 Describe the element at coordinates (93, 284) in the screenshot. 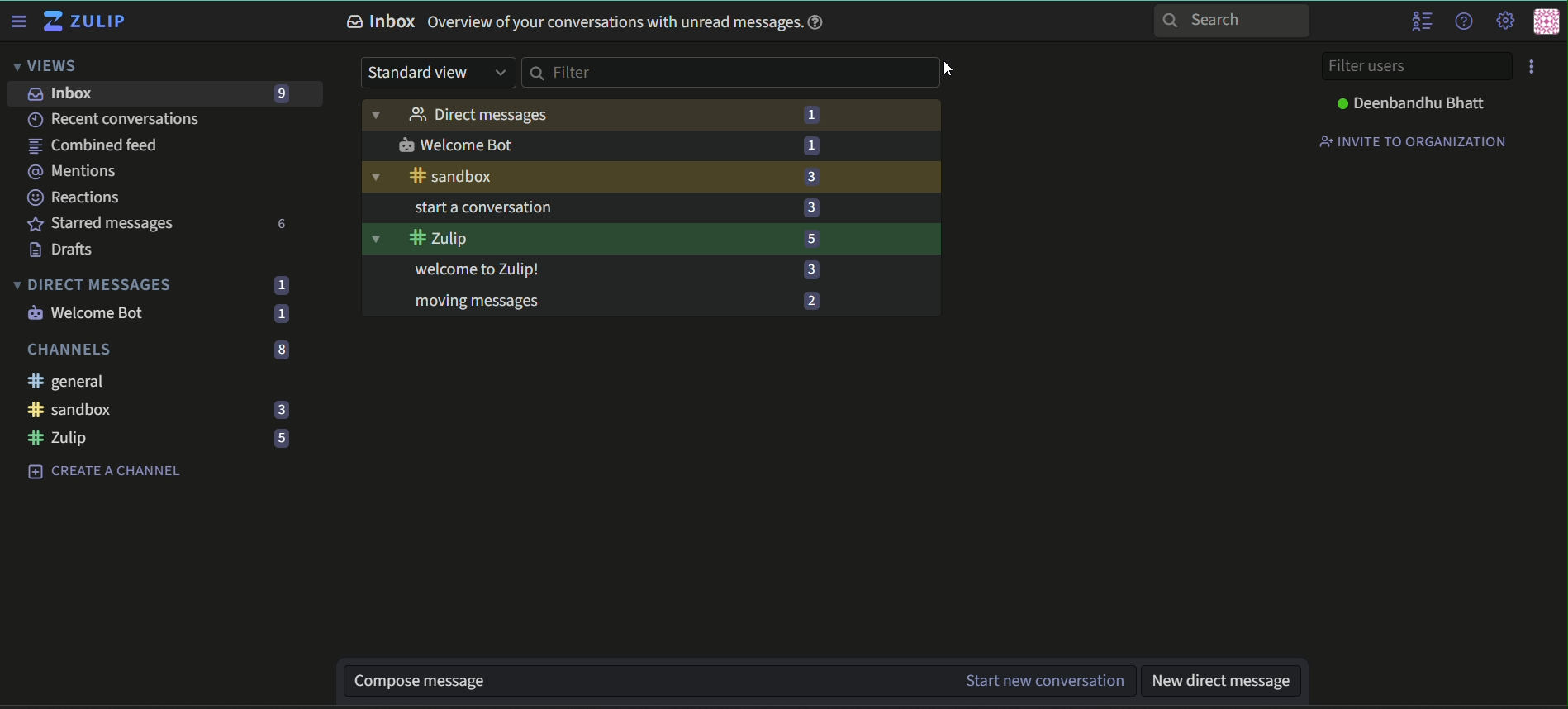

I see `Direct Messages` at that location.